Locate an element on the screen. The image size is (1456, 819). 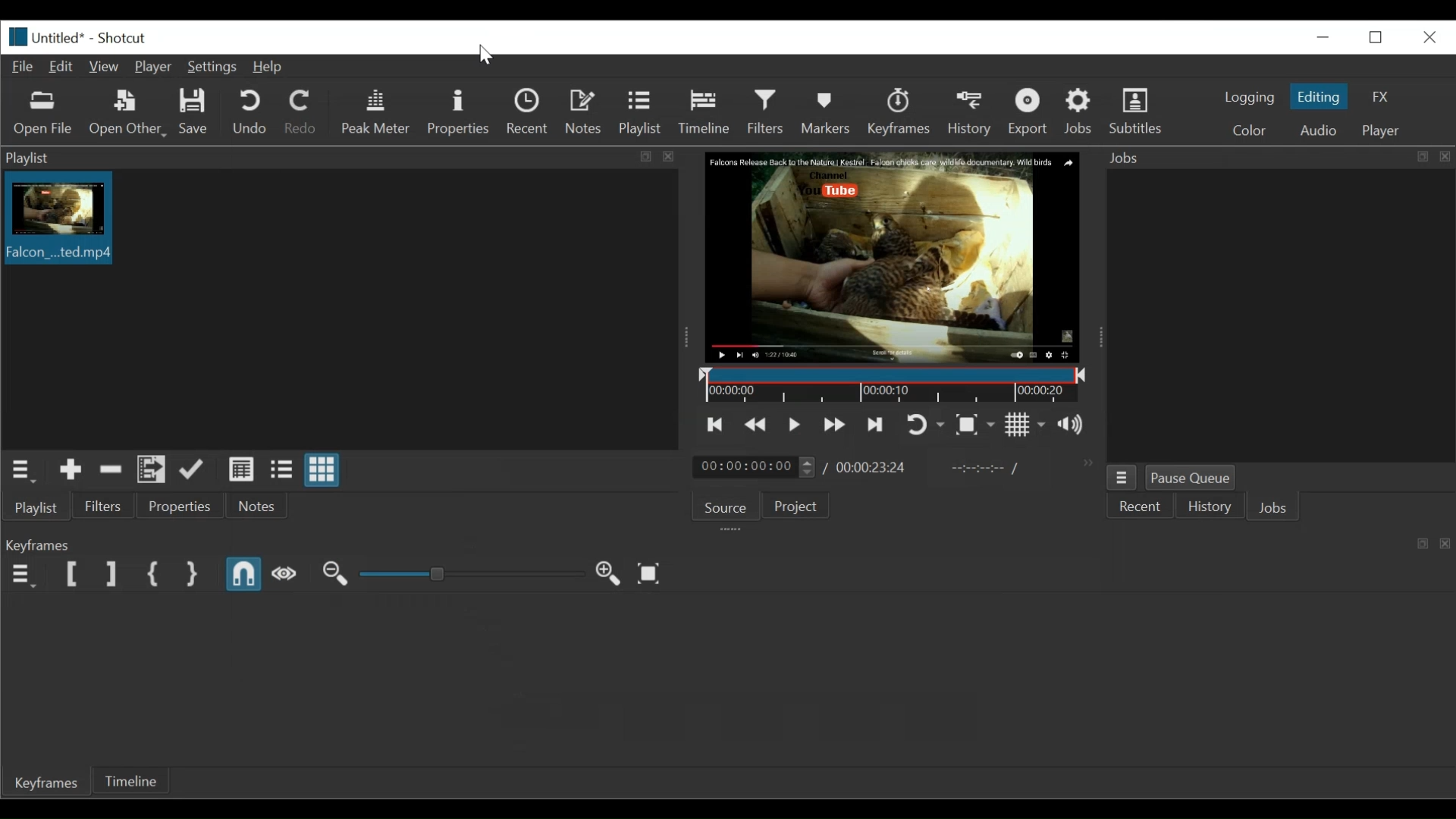
Notes is located at coordinates (588, 112).